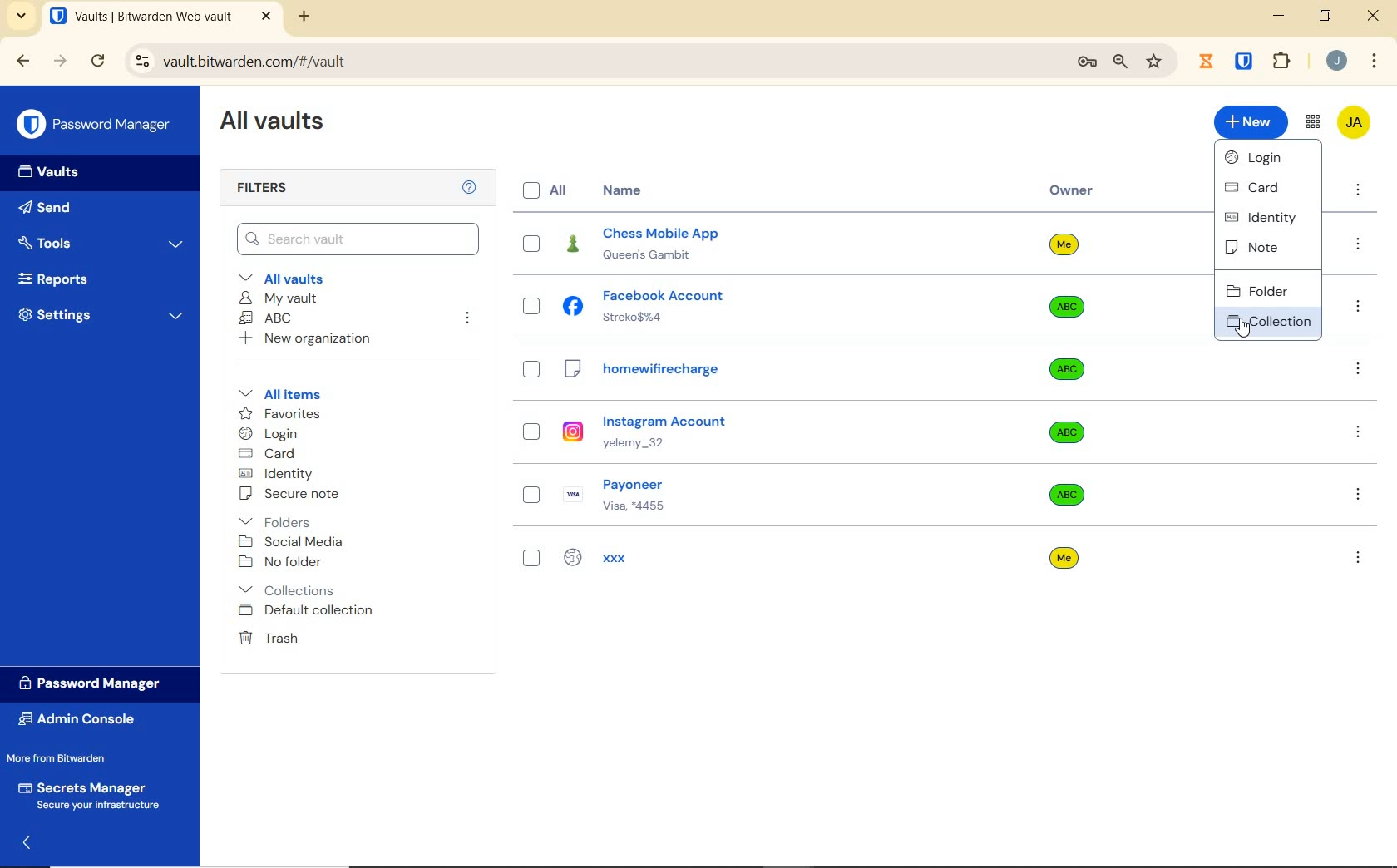  Describe the element at coordinates (24, 62) in the screenshot. I see `backward` at that location.